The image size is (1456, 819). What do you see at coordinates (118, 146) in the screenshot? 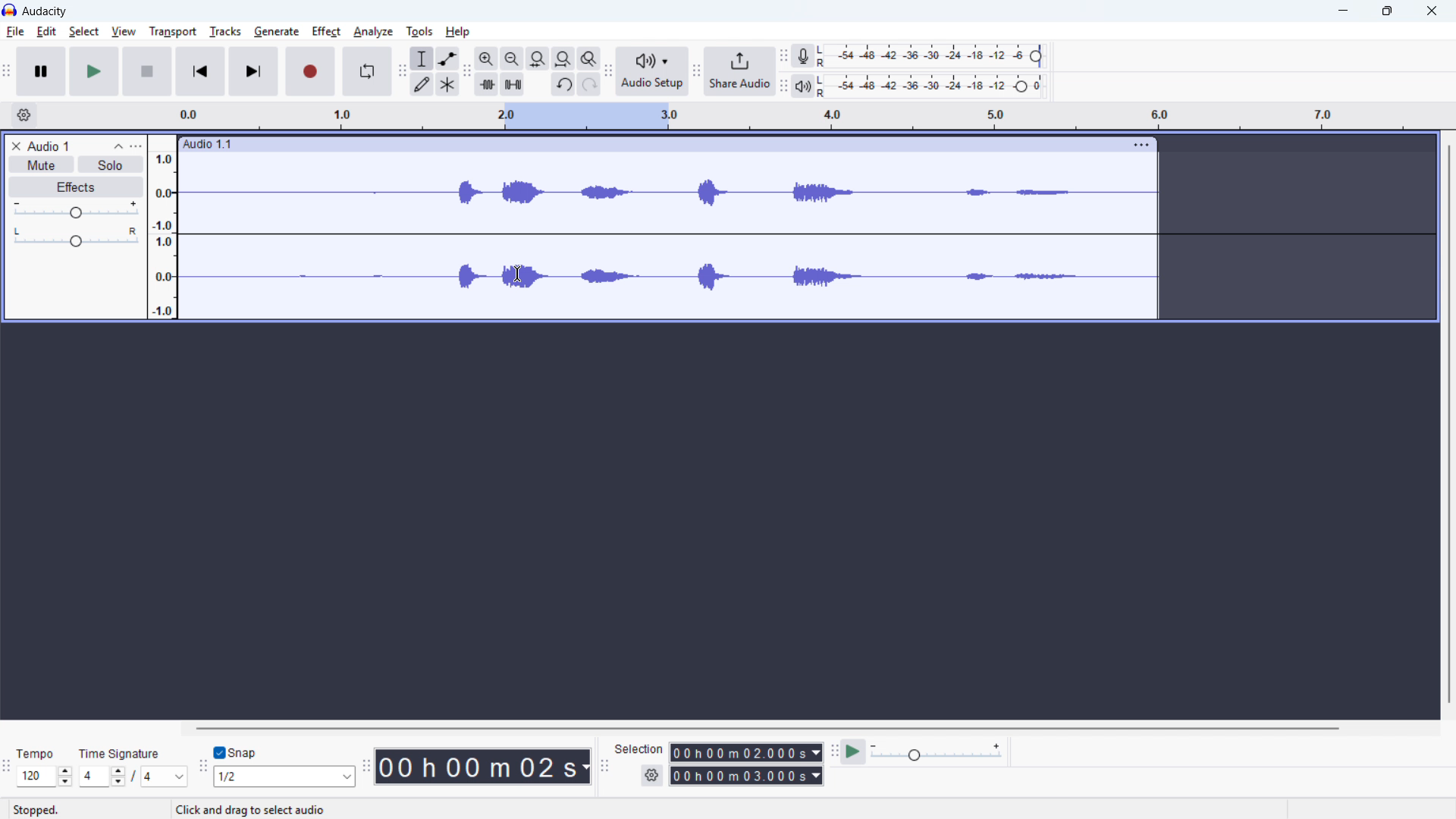
I see `Collapse` at bounding box center [118, 146].